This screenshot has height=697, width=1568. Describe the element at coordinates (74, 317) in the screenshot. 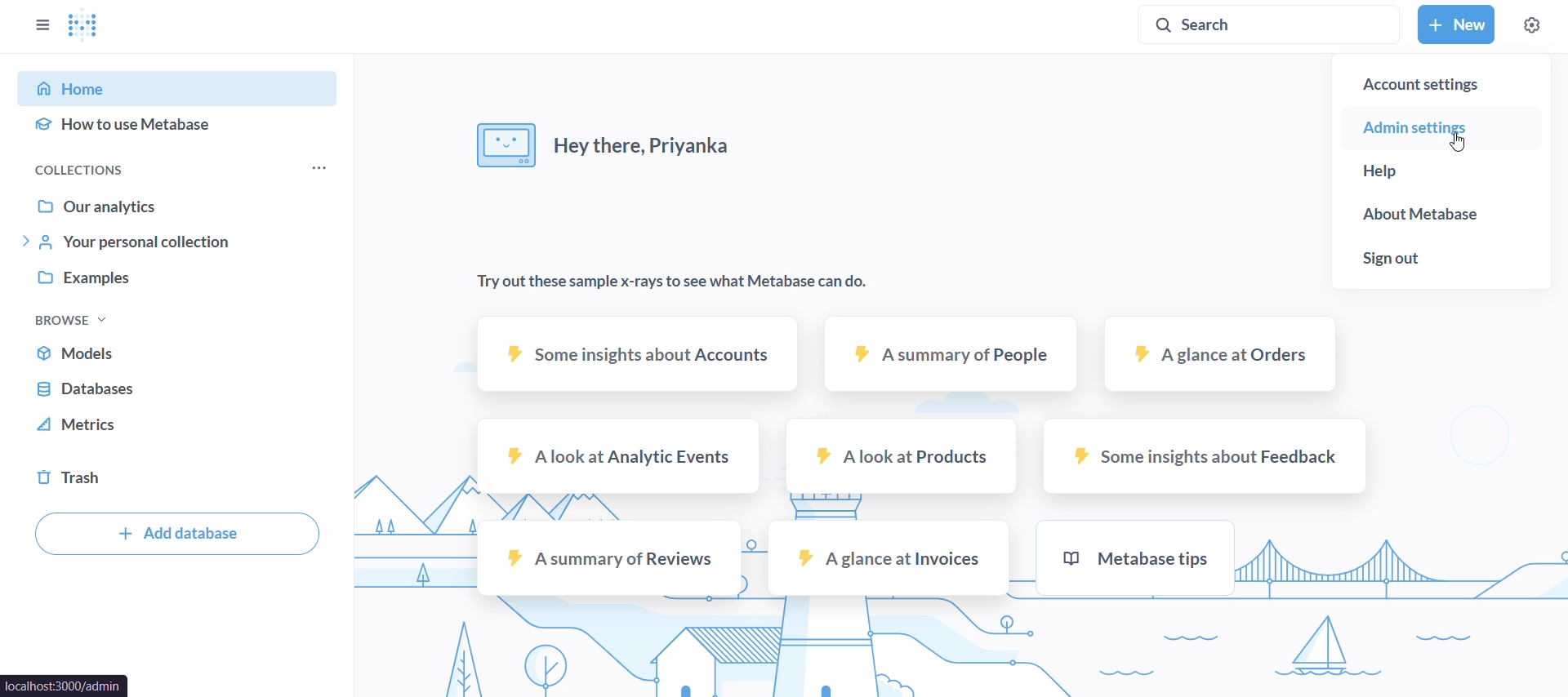

I see `browse` at that location.